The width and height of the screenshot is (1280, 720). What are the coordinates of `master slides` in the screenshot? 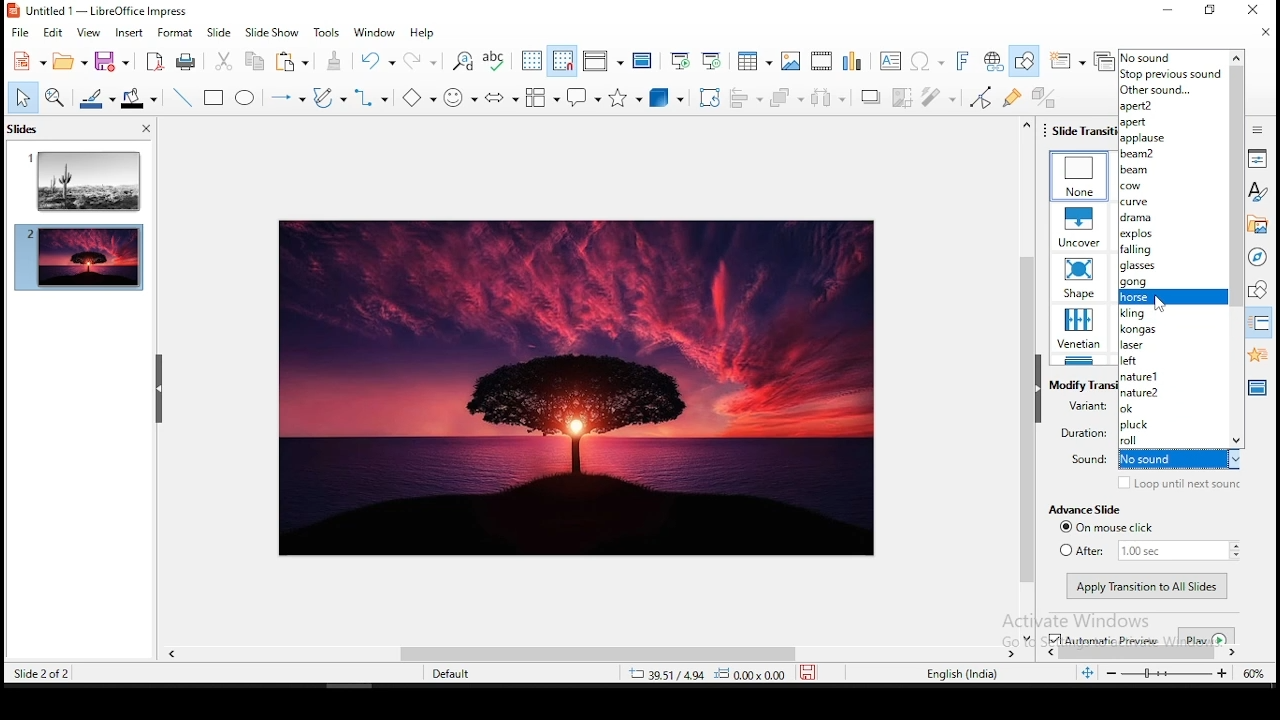 It's located at (1257, 388).